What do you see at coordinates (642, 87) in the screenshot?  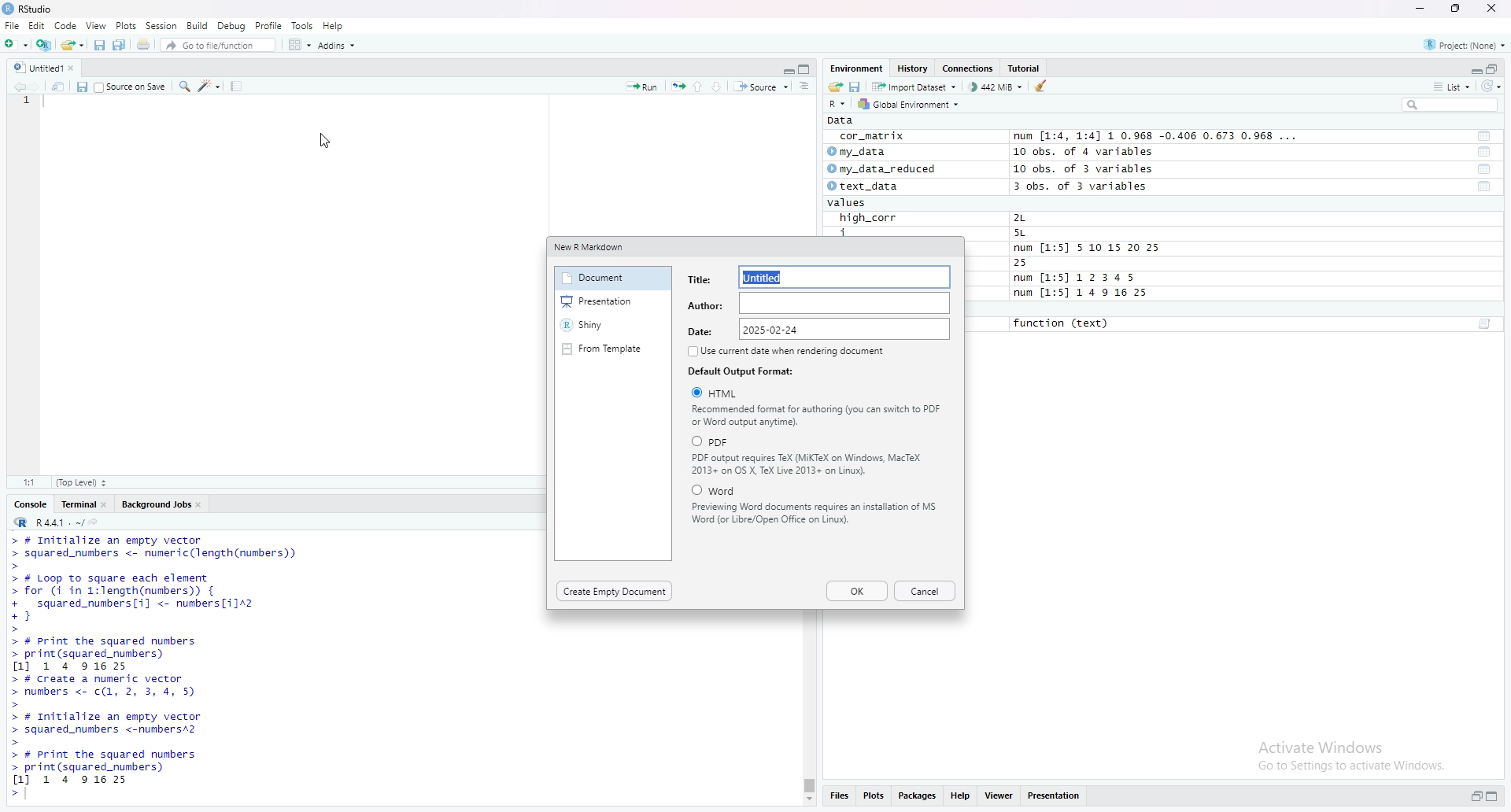 I see `Run` at bounding box center [642, 87].